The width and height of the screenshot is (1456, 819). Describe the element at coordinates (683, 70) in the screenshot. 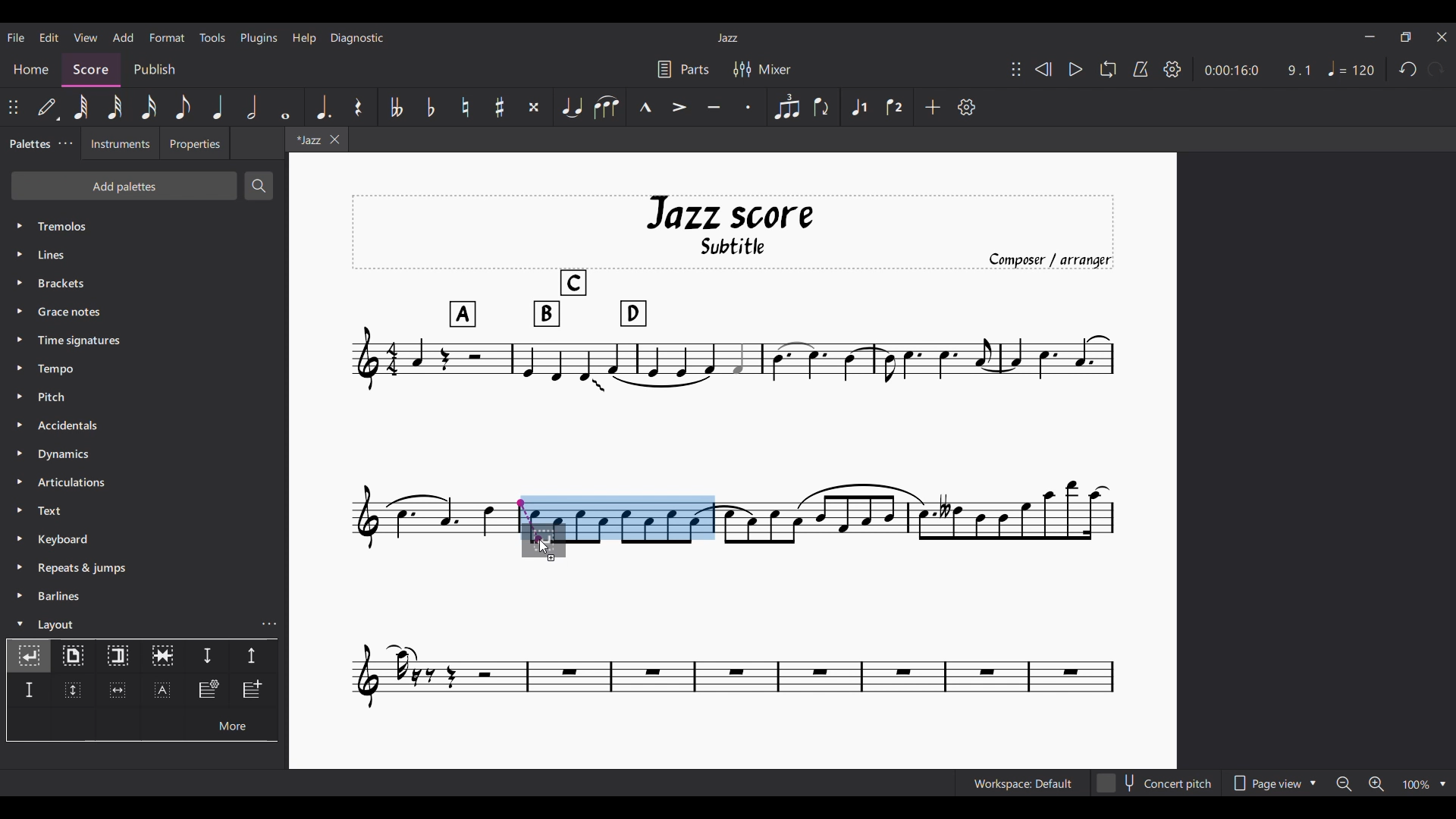

I see `Parts settings` at that location.